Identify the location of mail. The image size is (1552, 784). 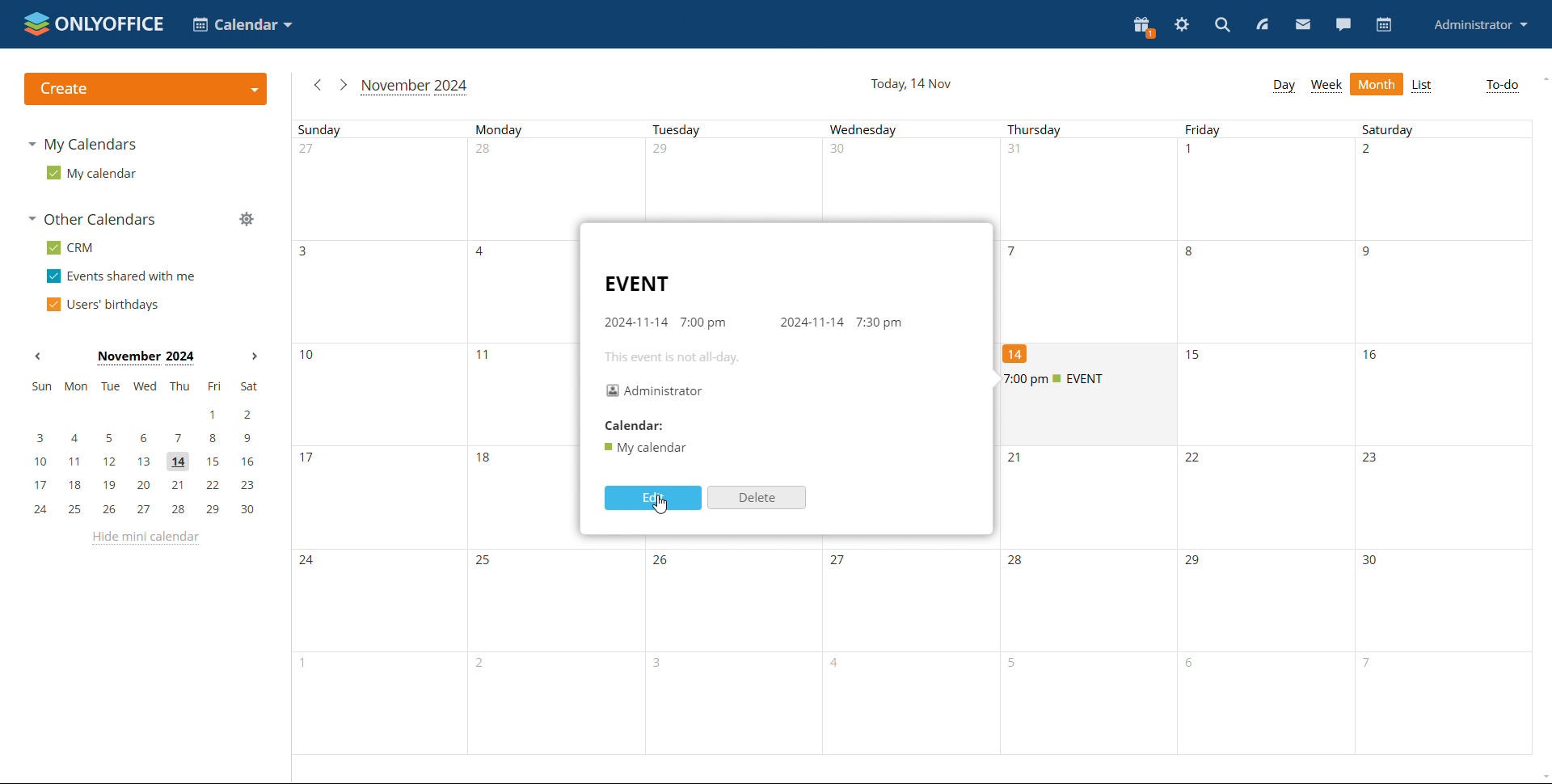
(1303, 25).